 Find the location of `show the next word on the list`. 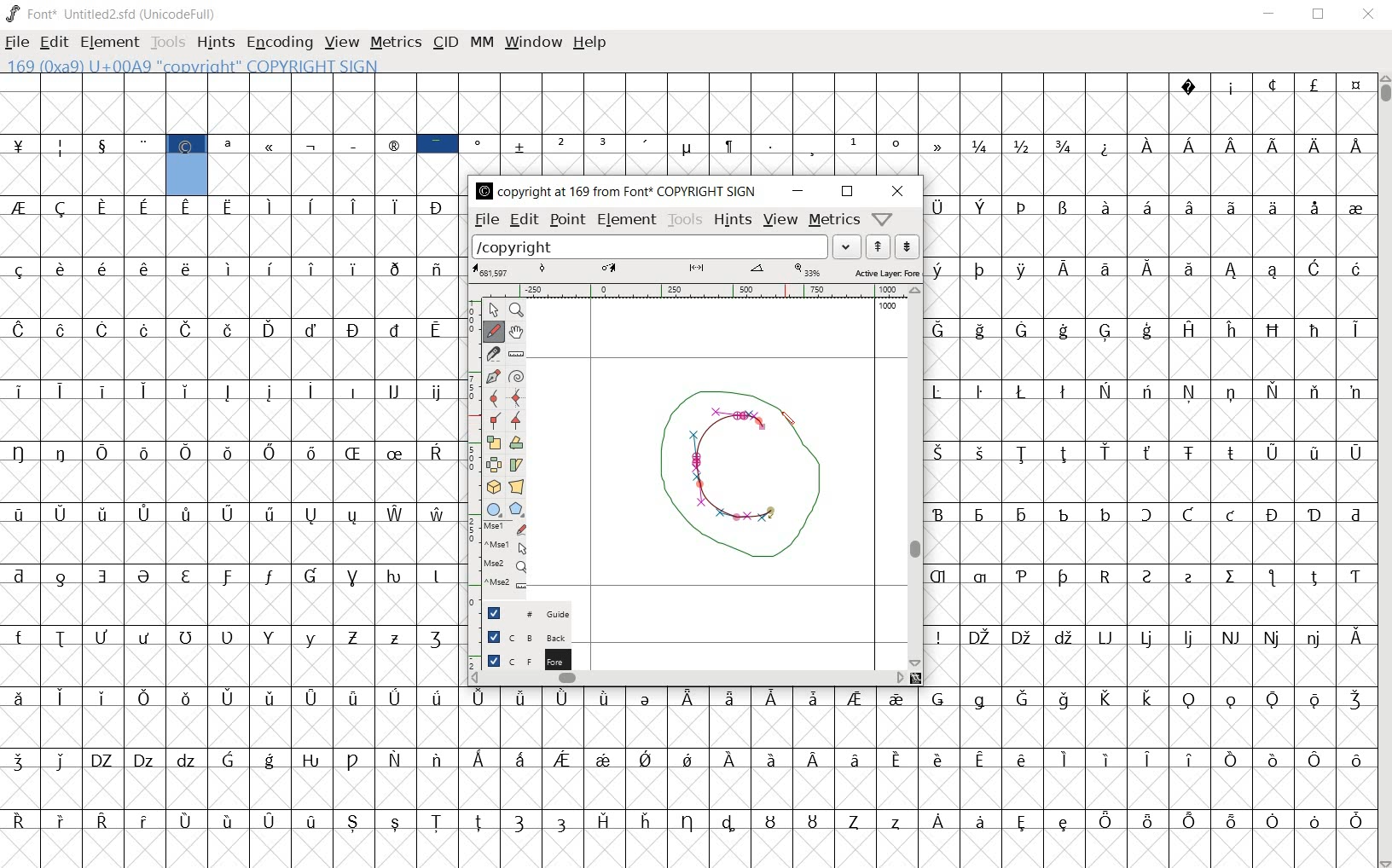

show the next word on the list is located at coordinates (877, 246).